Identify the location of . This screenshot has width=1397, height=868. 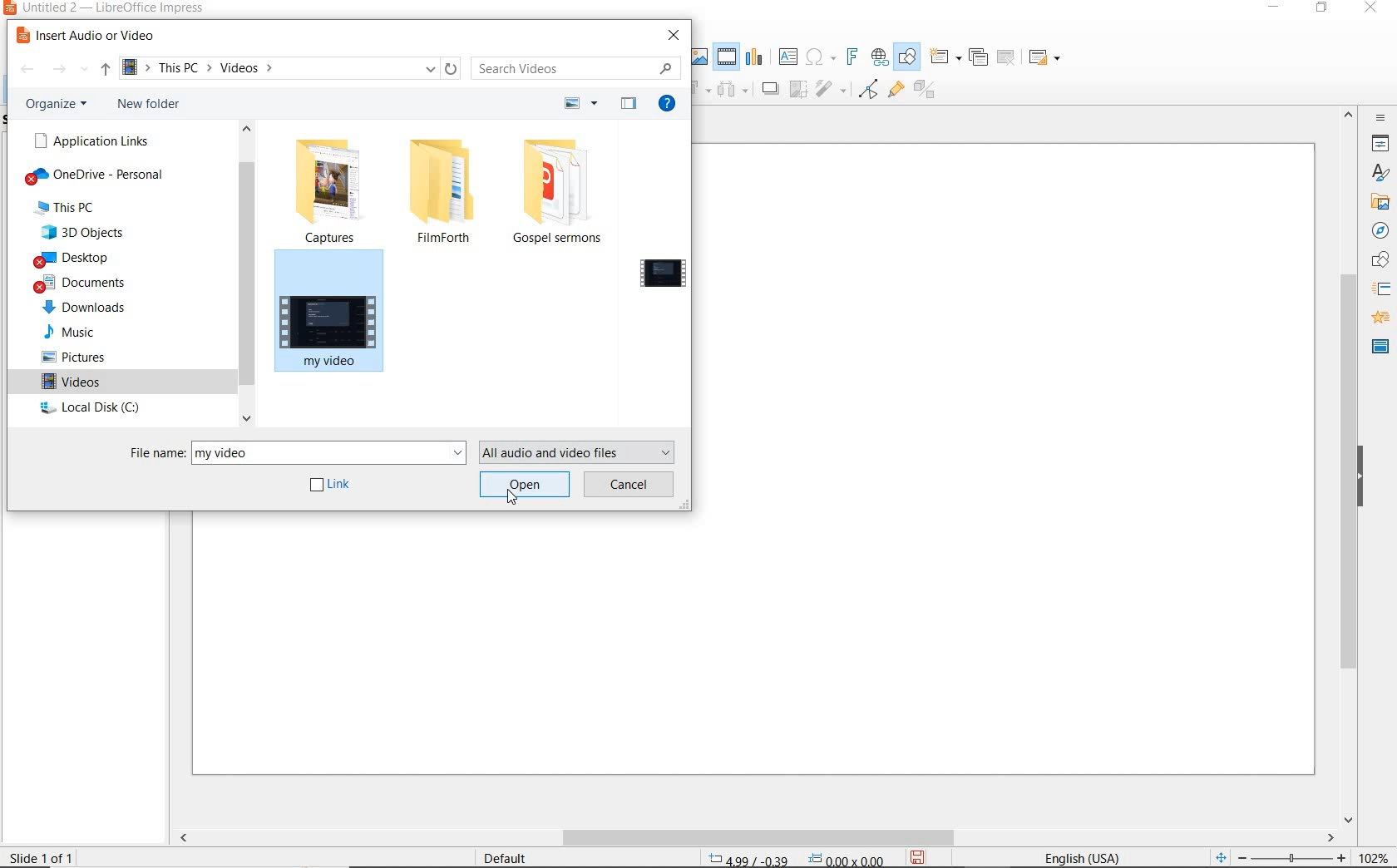
(787, 58).